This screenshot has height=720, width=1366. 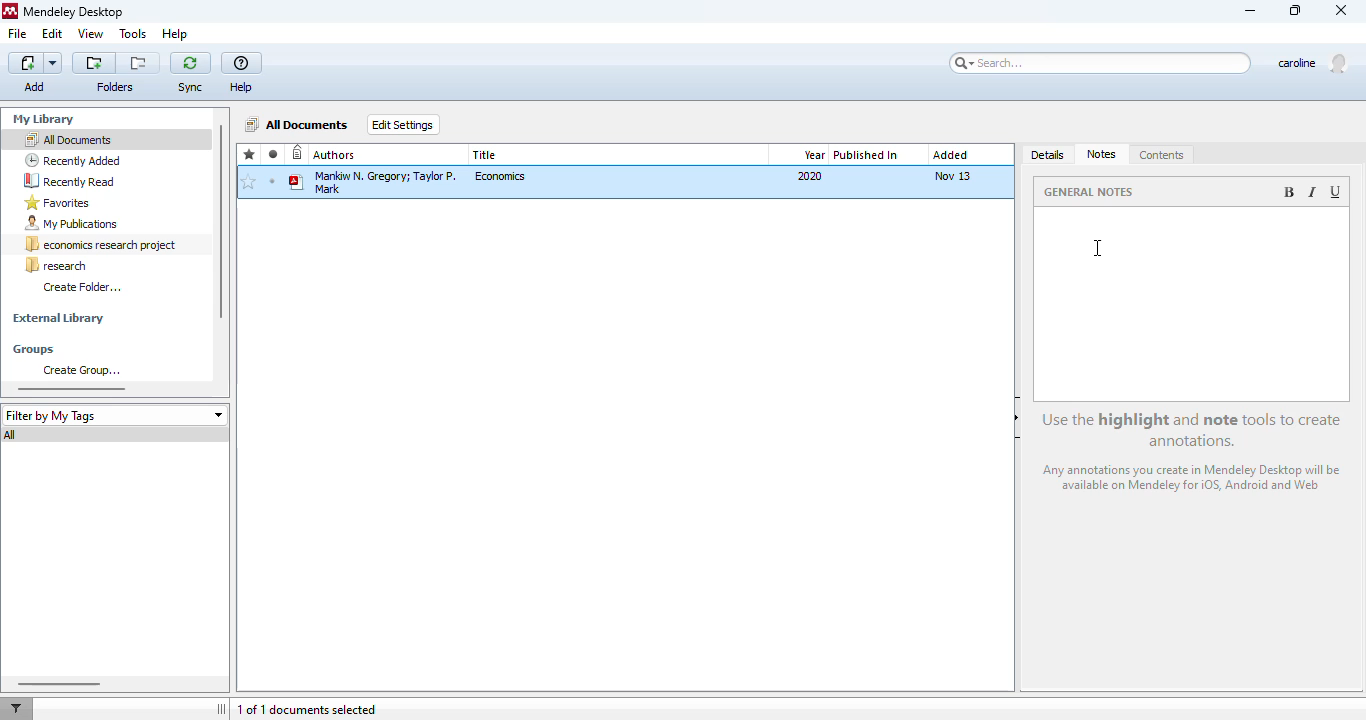 What do you see at coordinates (242, 64) in the screenshot?
I see `help` at bounding box center [242, 64].